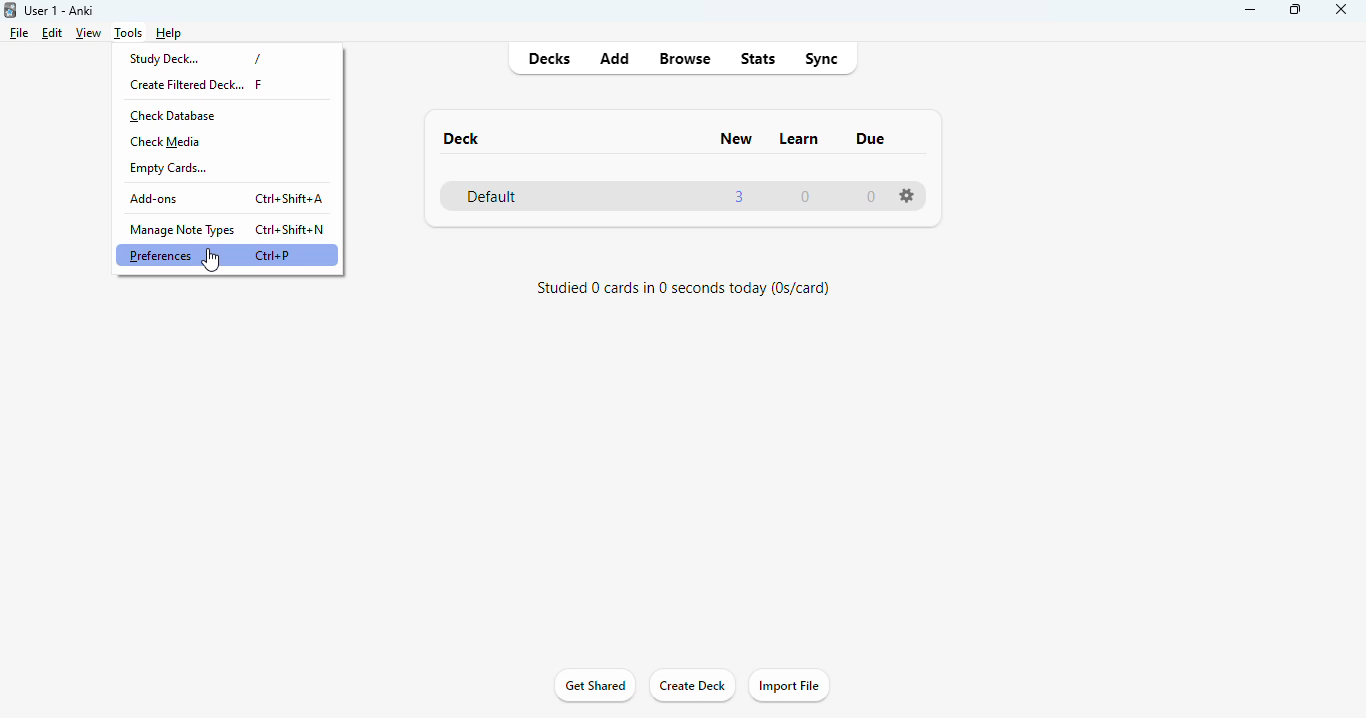  Describe the element at coordinates (820, 60) in the screenshot. I see `sync` at that location.